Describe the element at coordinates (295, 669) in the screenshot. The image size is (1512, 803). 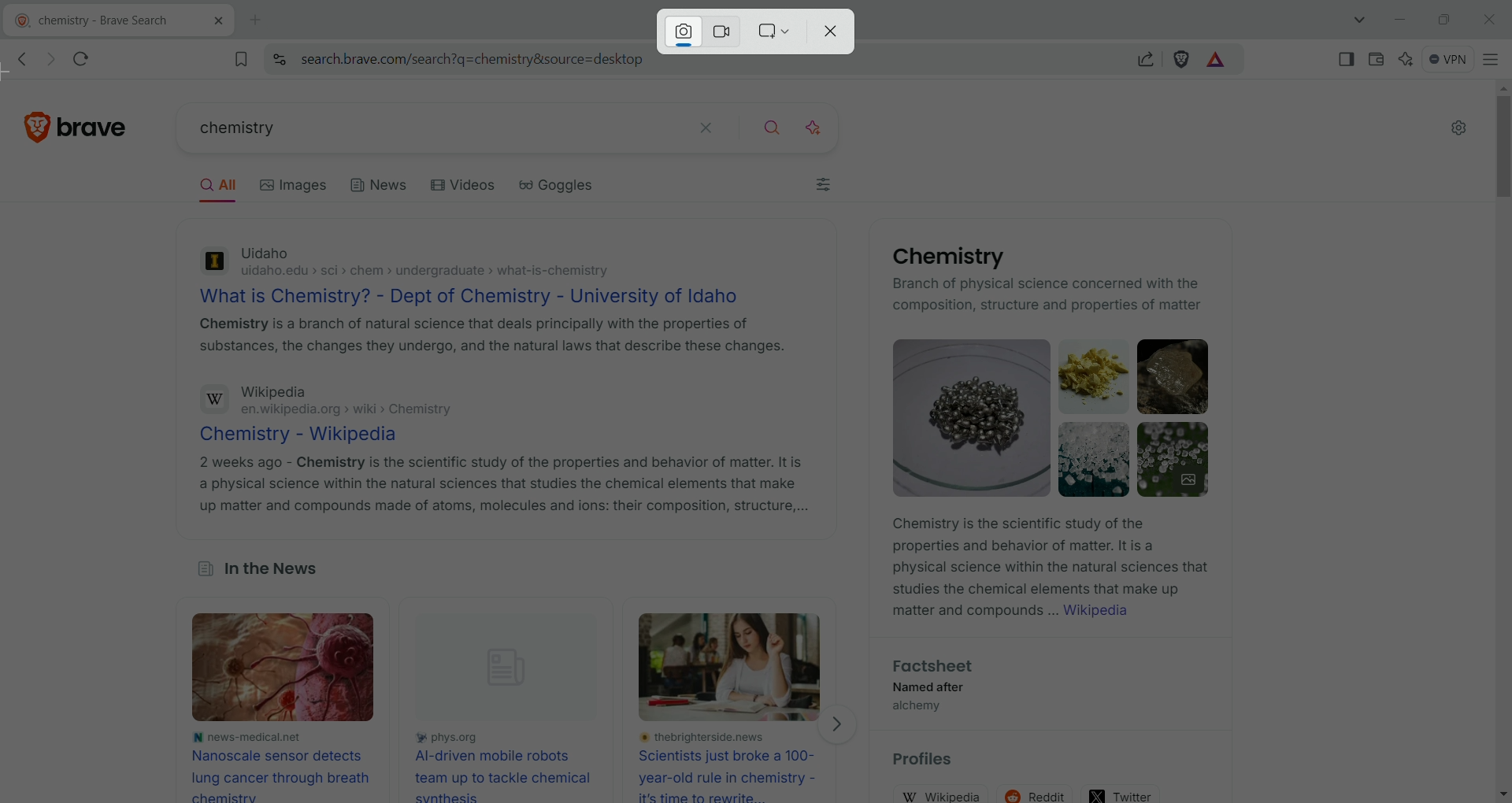
I see `image` at that location.